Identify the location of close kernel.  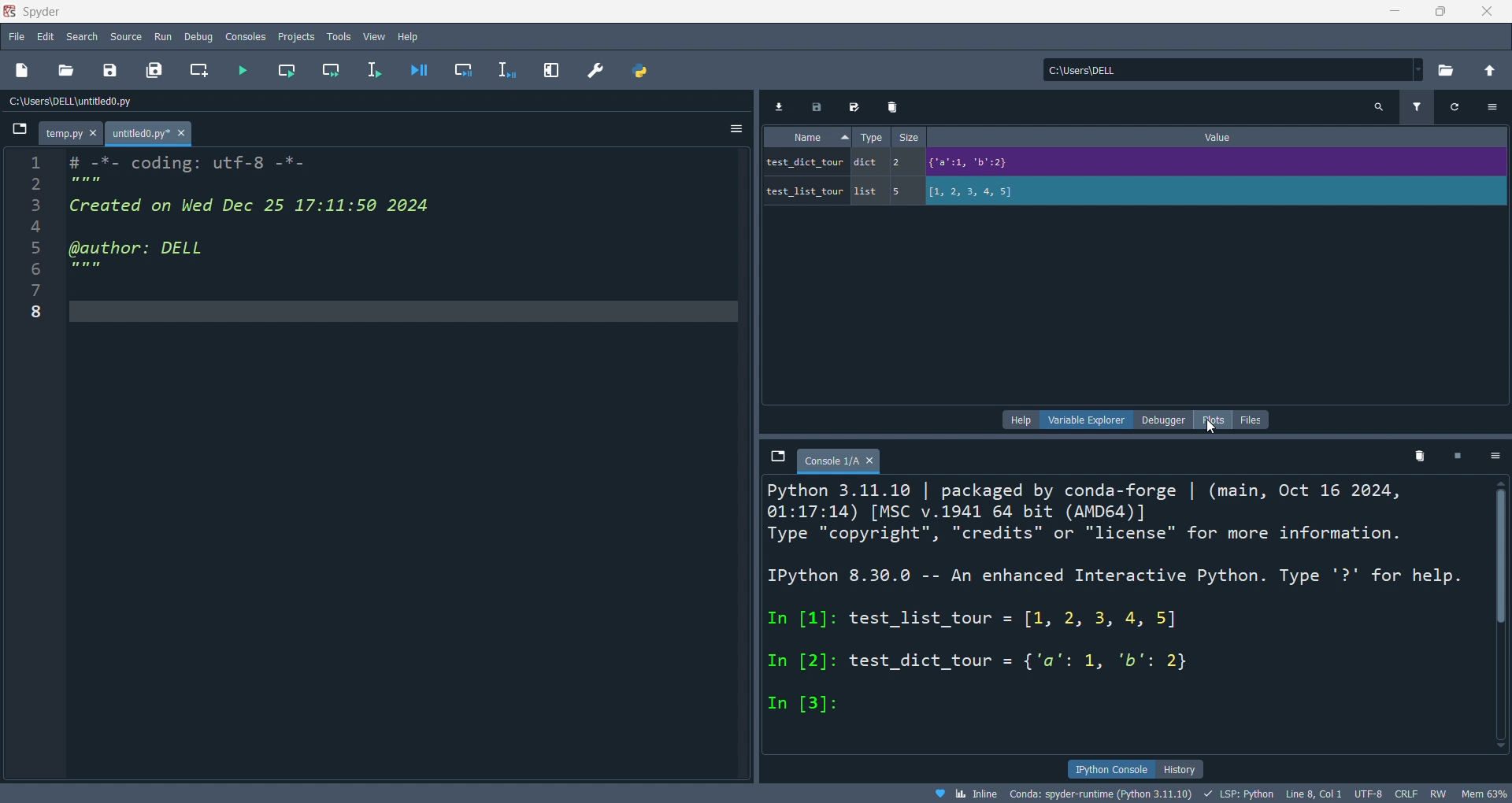
(1457, 457).